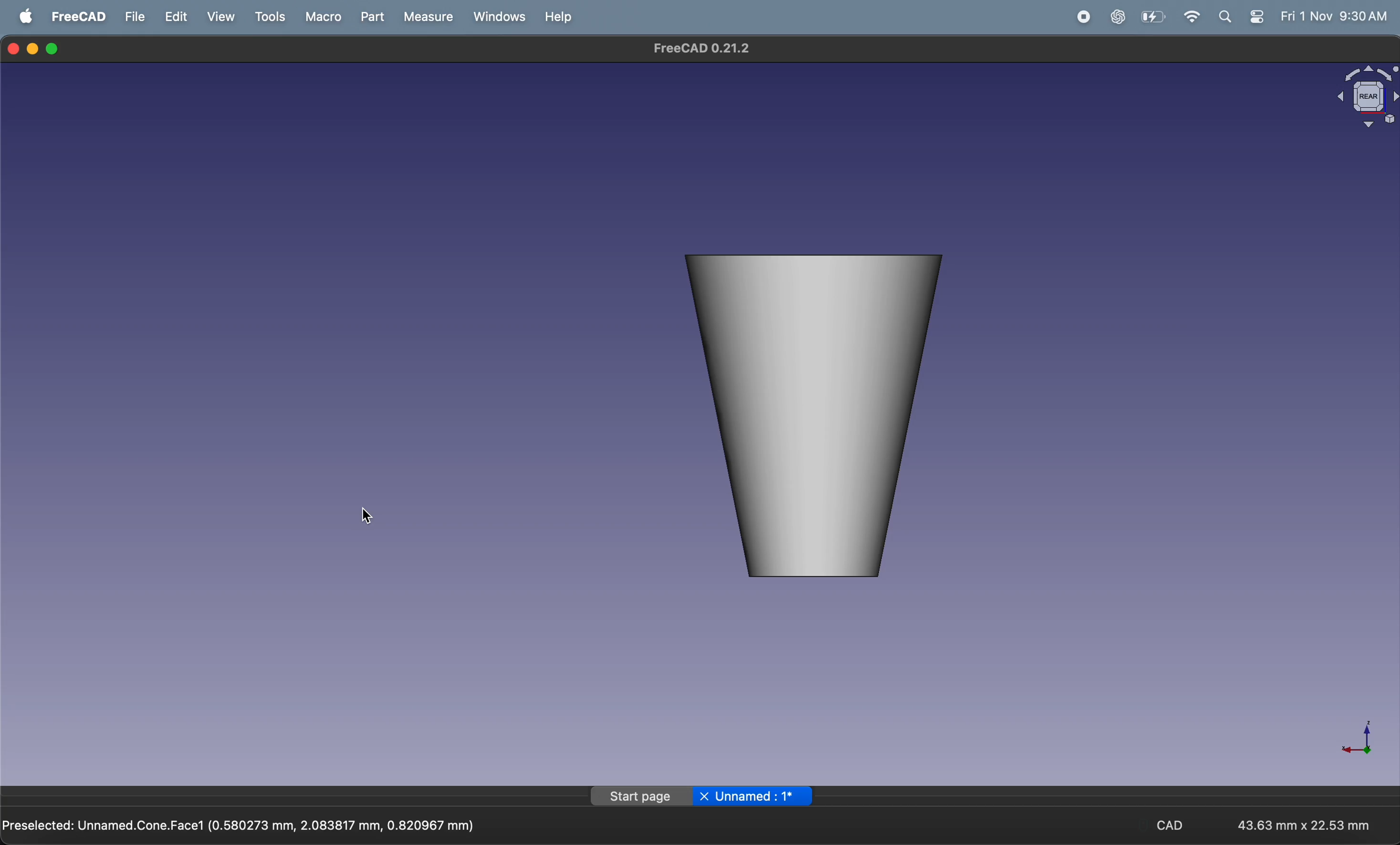 This screenshot has height=845, width=1400. What do you see at coordinates (136, 16) in the screenshot?
I see `file` at bounding box center [136, 16].